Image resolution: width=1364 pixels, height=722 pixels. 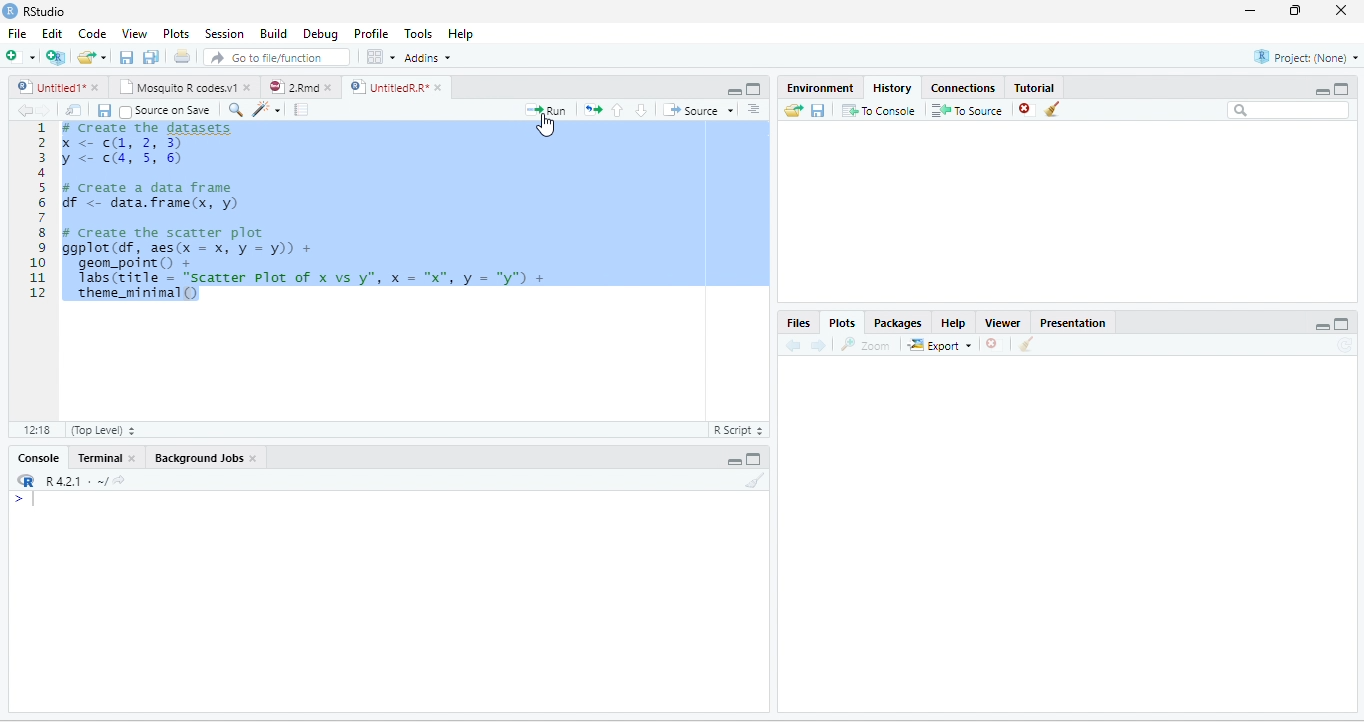 I want to click on Debug, so click(x=320, y=33).